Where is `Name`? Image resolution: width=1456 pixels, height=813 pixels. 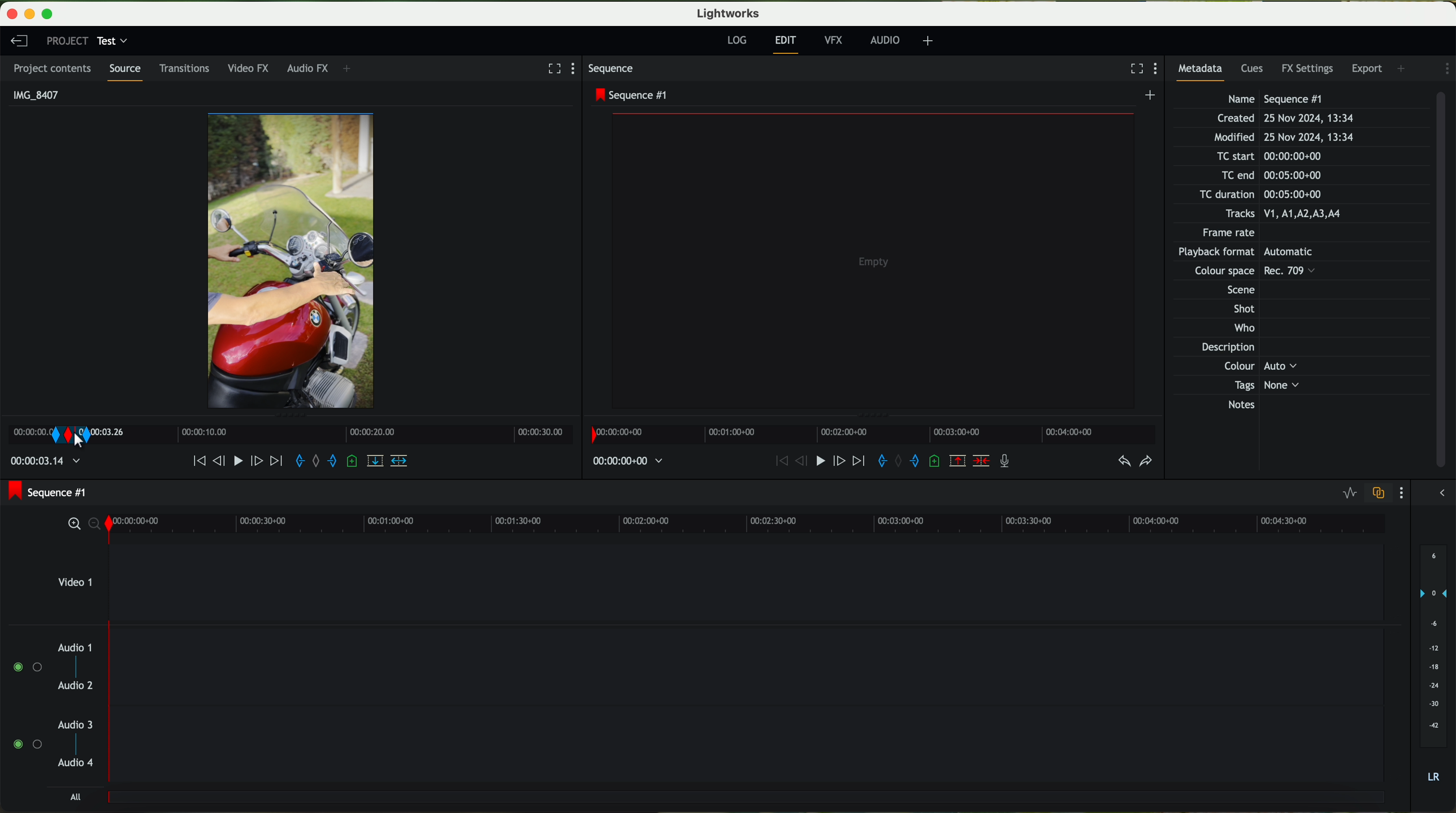 Name is located at coordinates (1278, 98).